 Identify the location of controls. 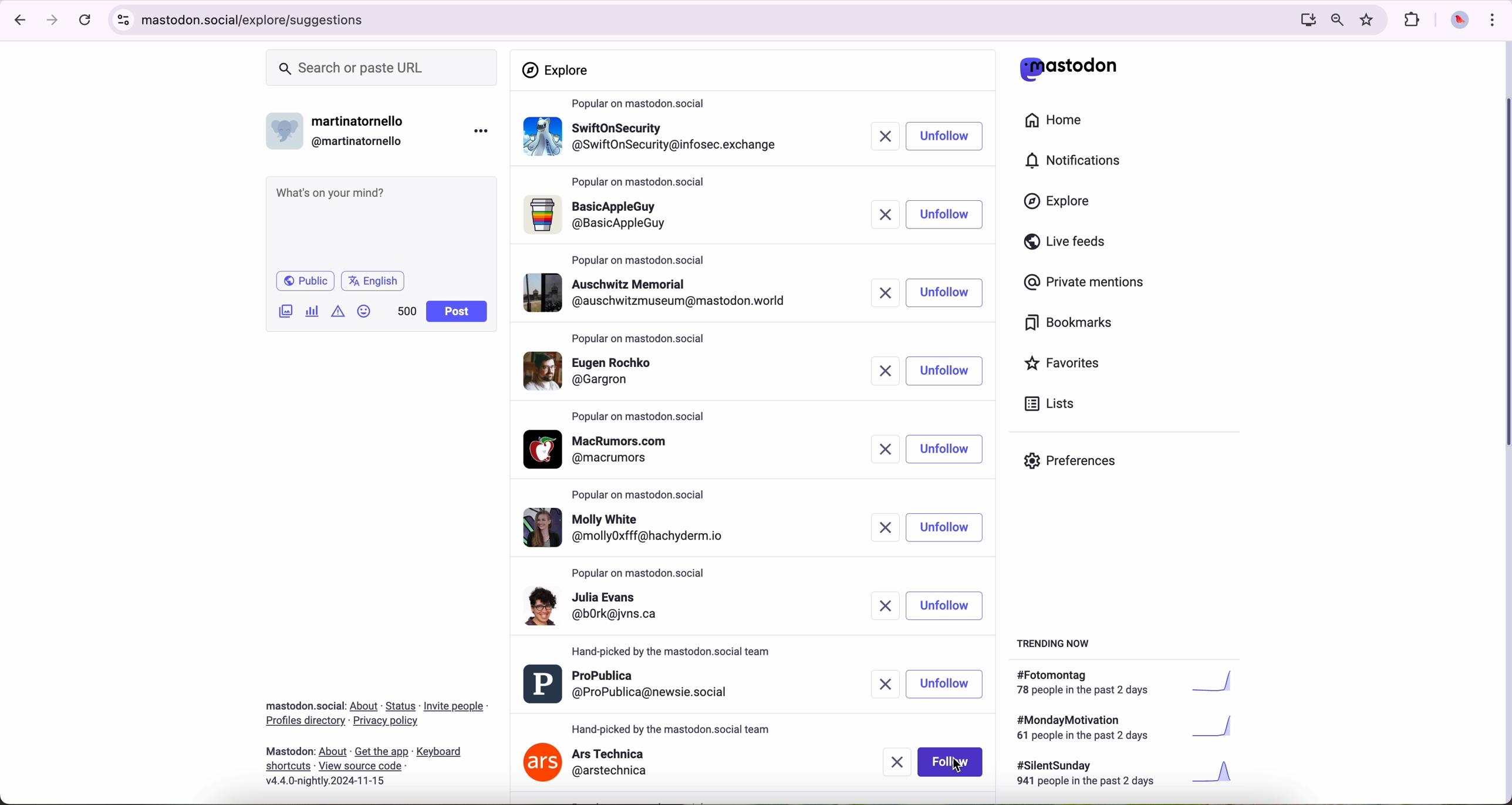
(124, 20).